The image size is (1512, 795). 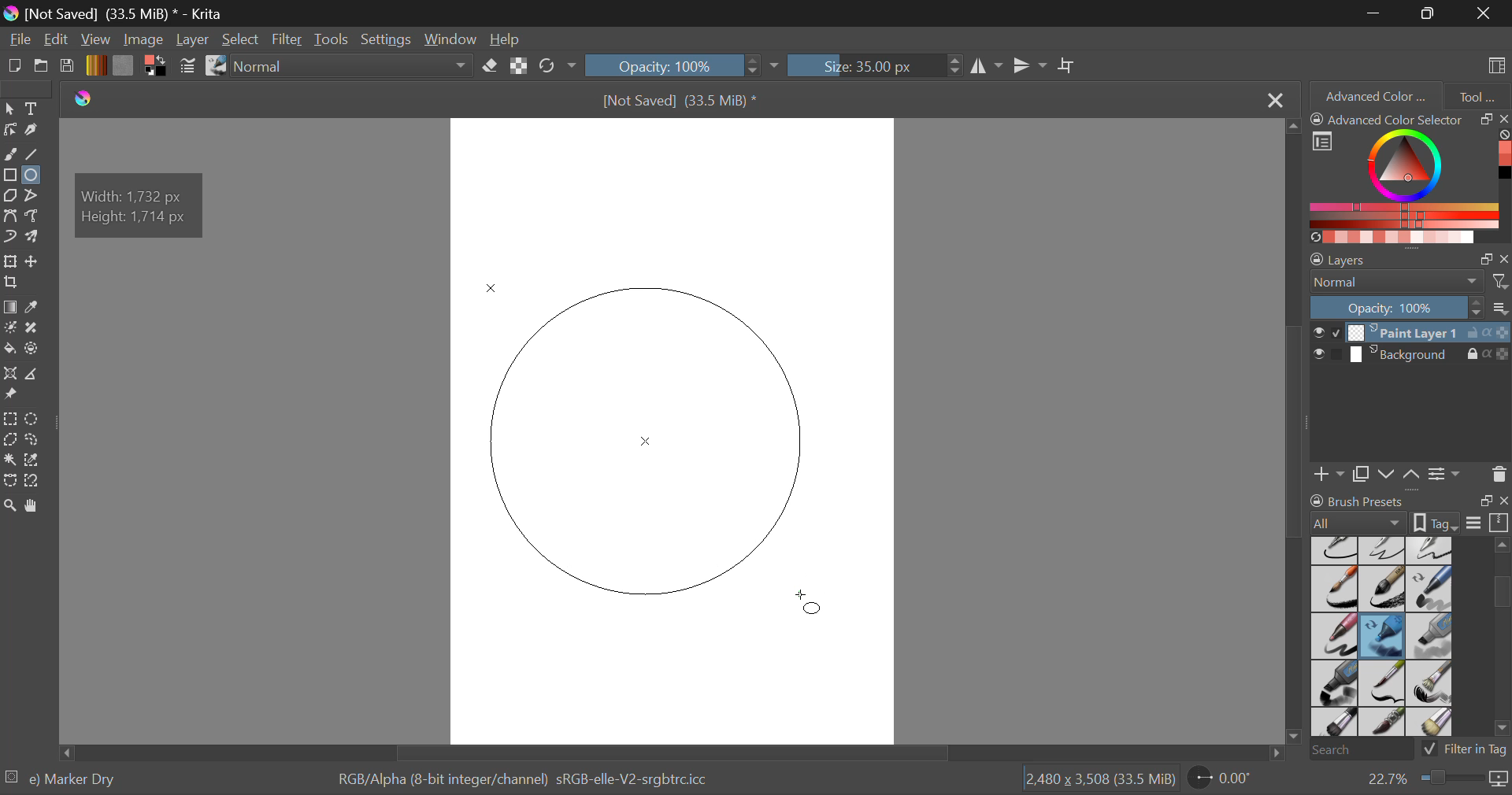 What do you see at coordinates (1477, 94) in the screenshot?
I see `Tool` at bounding box center [1477, 94].